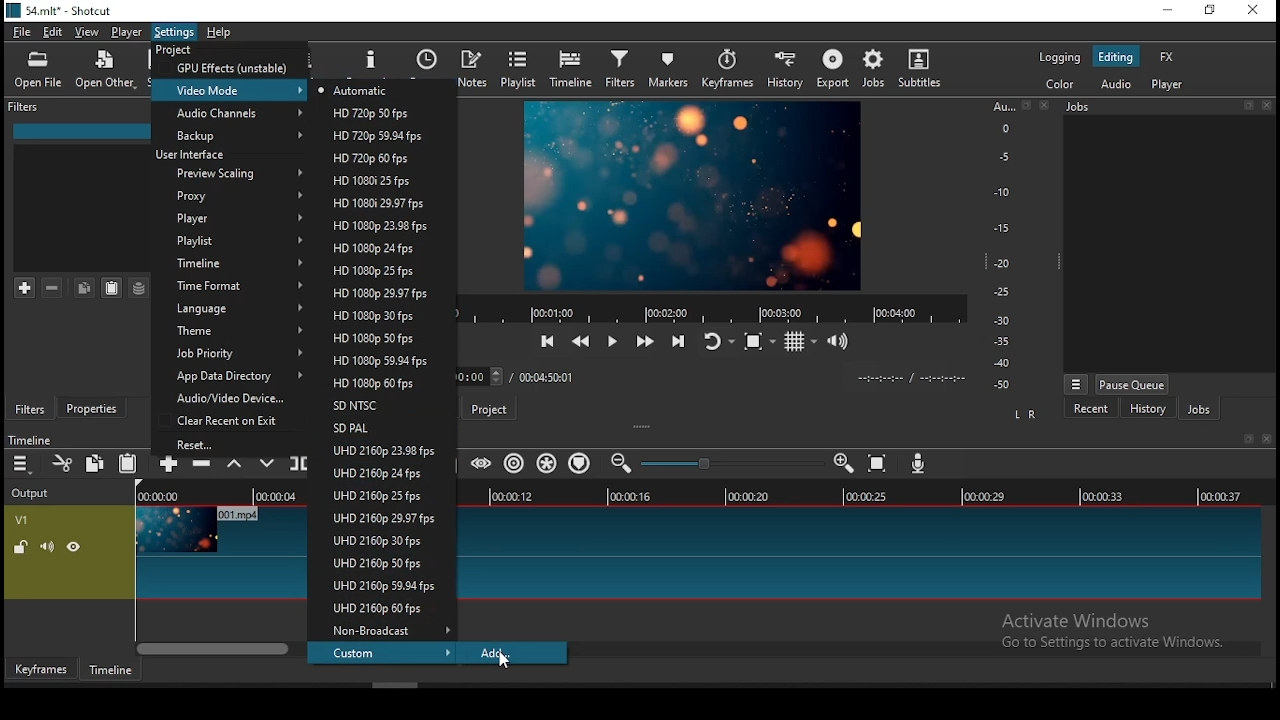 The image size is (1280, 720). I want to click on restore, so click(1208, 11).